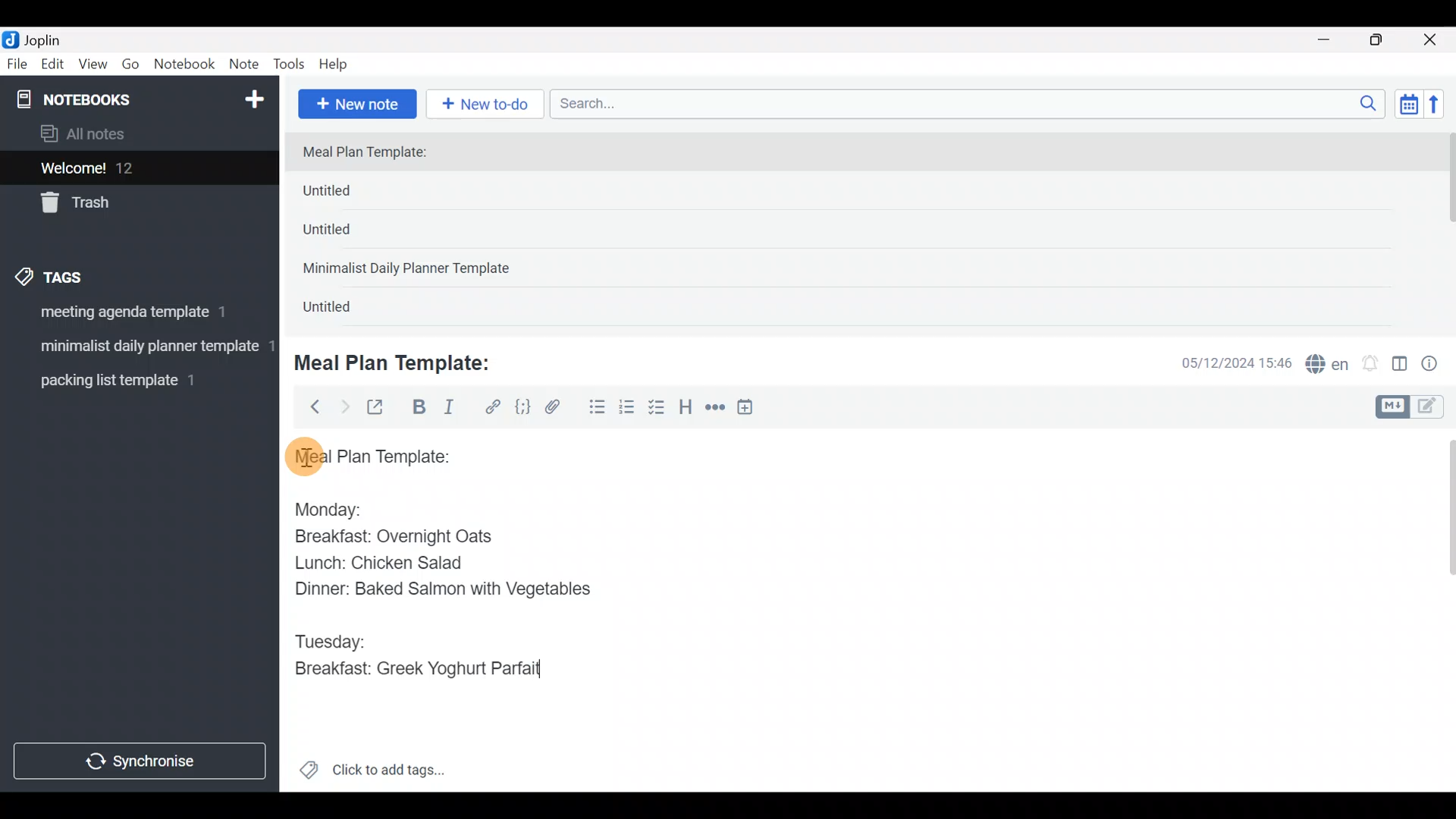  Describe the element at coordinates (1371, 365) in the screenshot. I see `Set alarm` at that location.